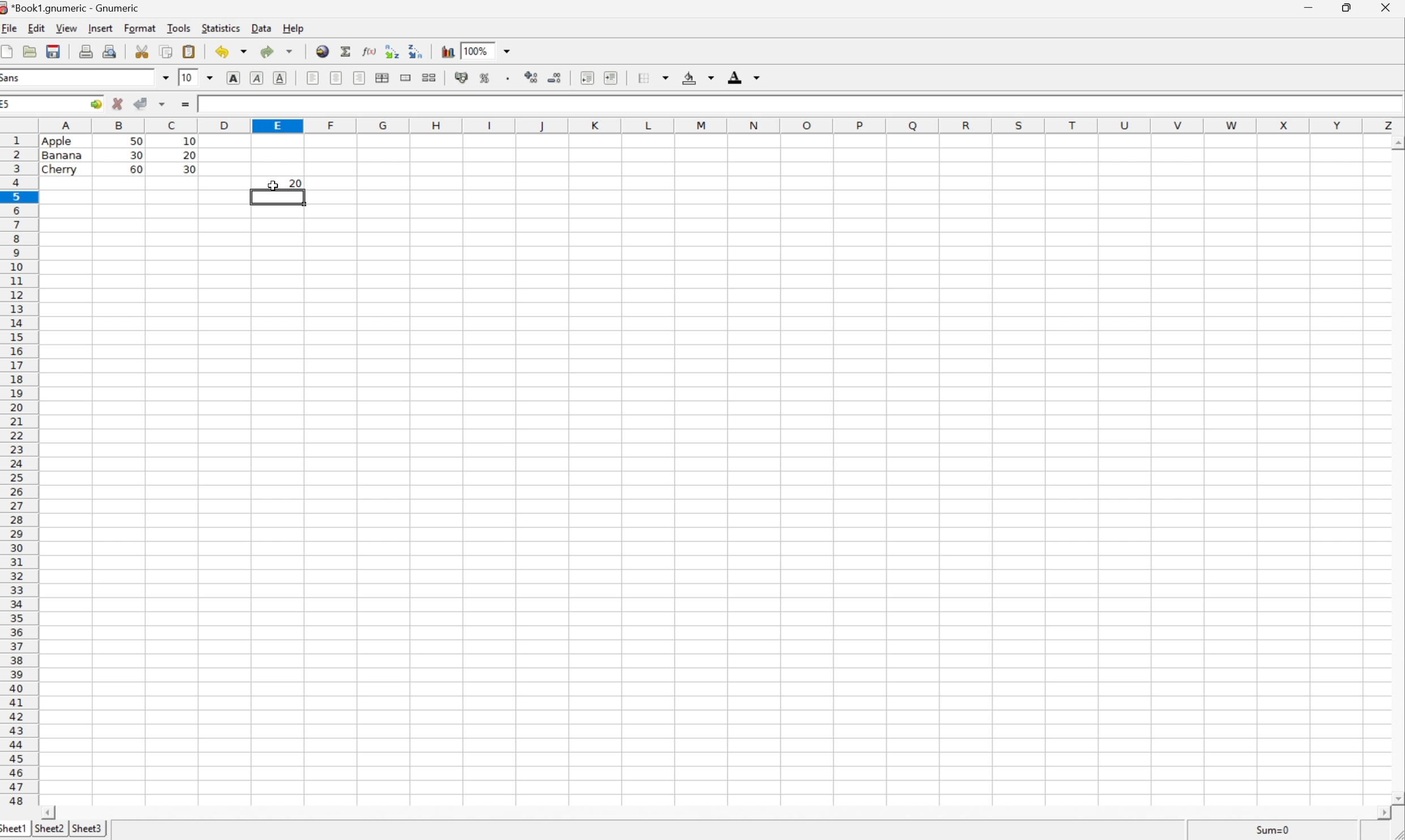  What do you see at coordinates (224, 28) in the screenshot?
I see `statistics` at bounding box center [224, 28].